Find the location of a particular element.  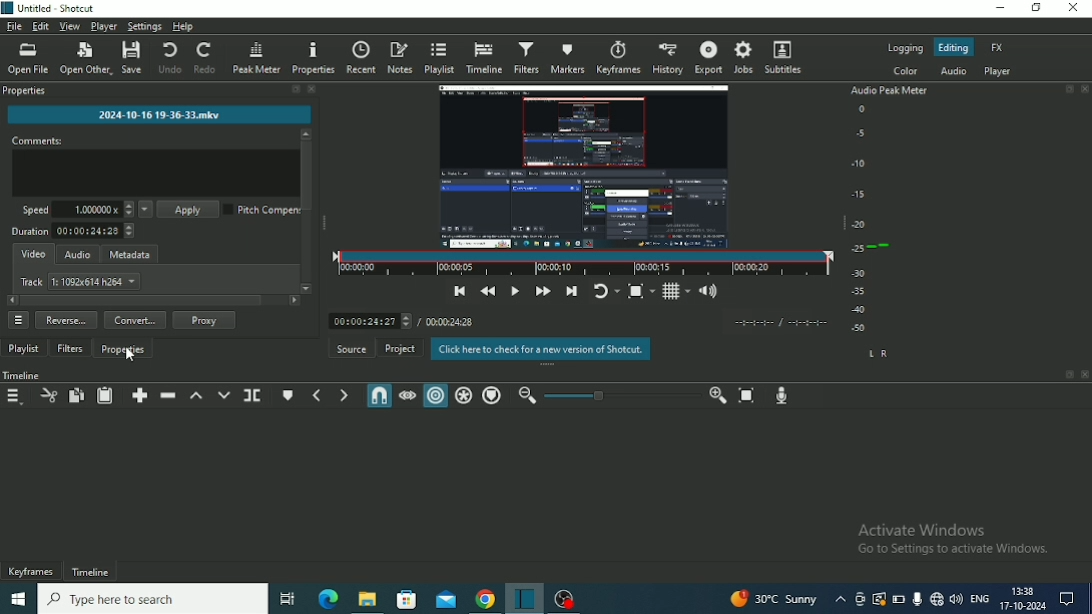

Close is located at coordinates (311, 89).